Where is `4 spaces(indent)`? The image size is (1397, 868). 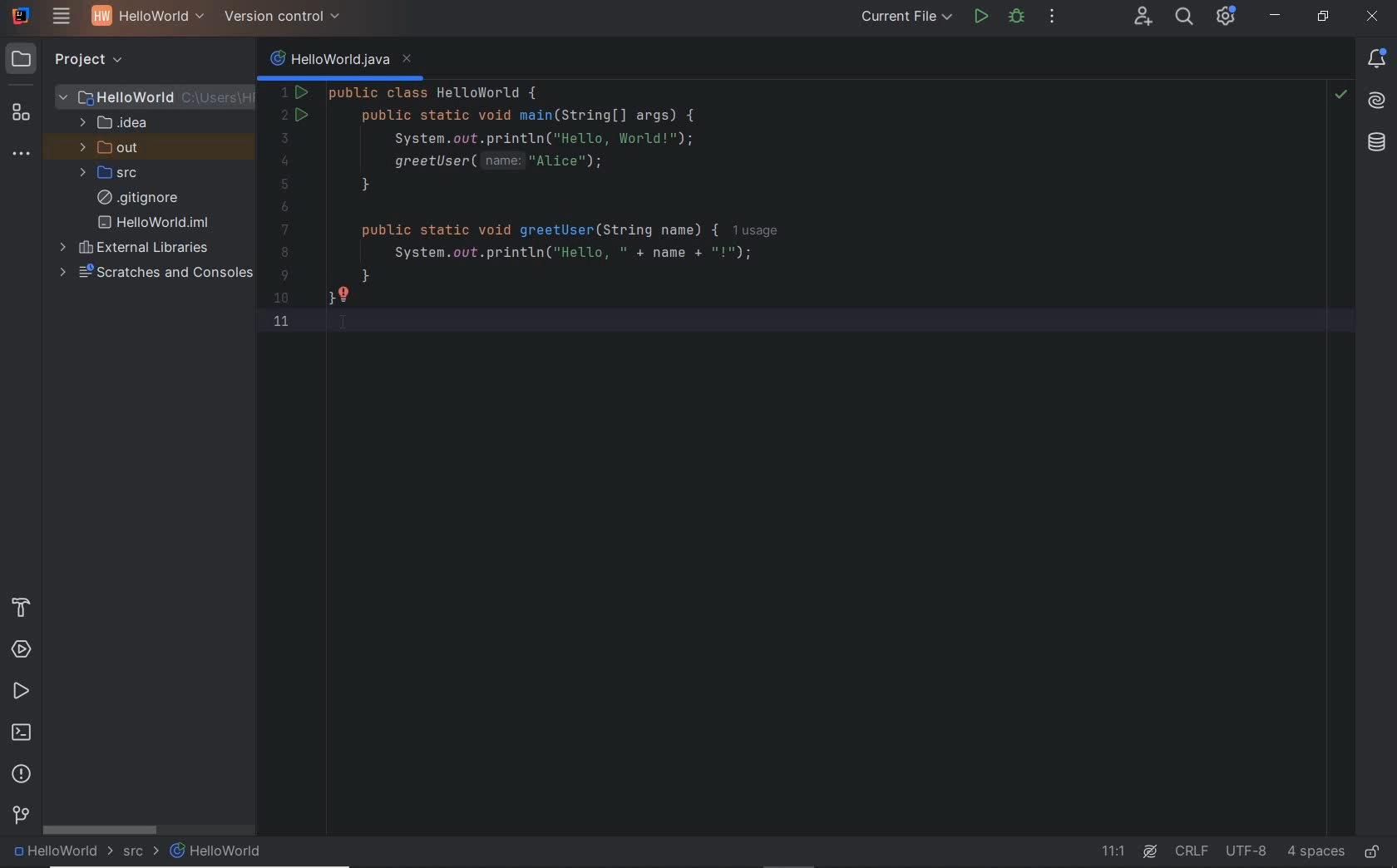 4 spaces(indent) is located at coordinates (1316, 851).